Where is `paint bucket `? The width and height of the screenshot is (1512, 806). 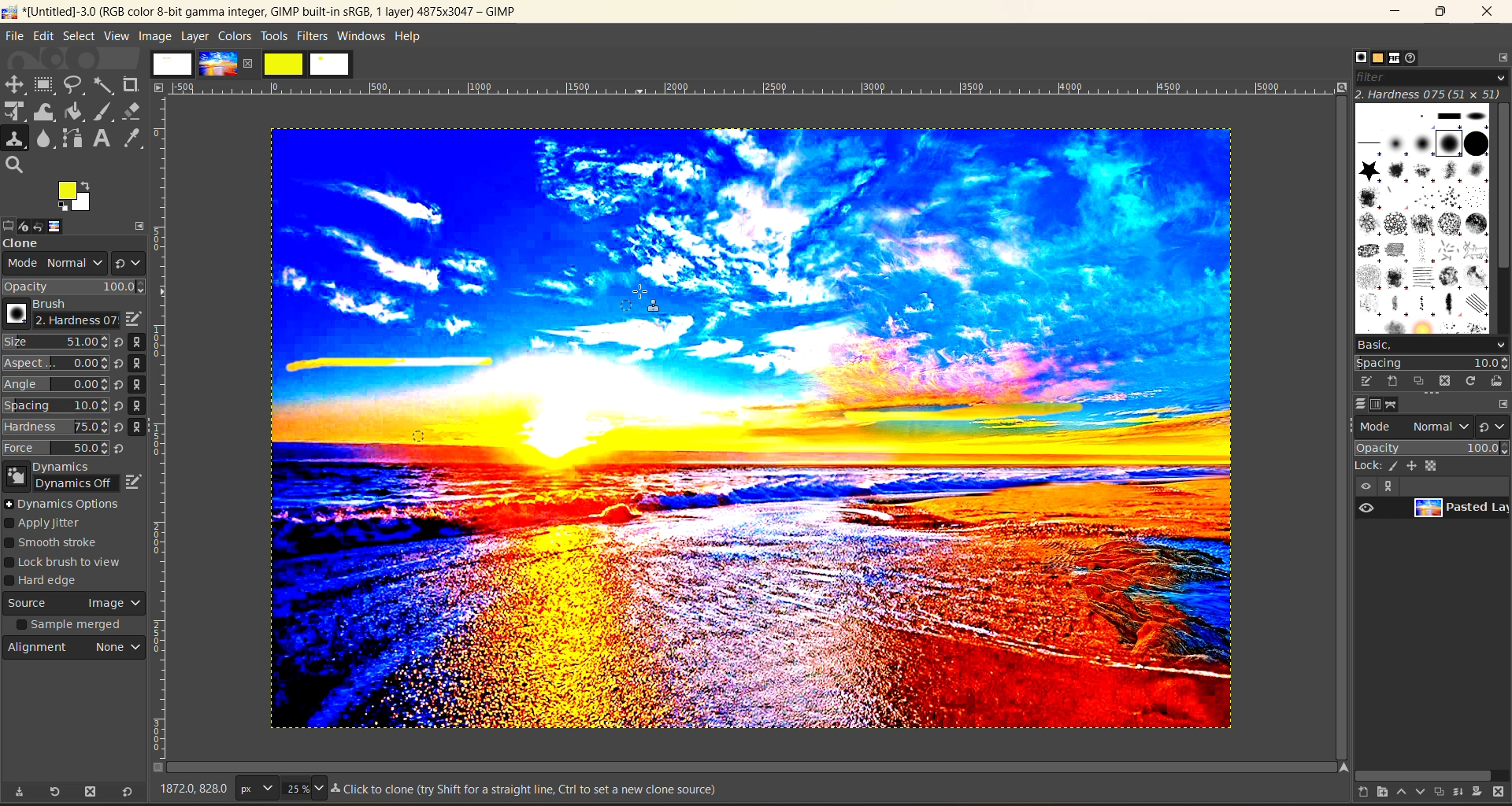
paint bucket  is located at coordinates (79, 113).